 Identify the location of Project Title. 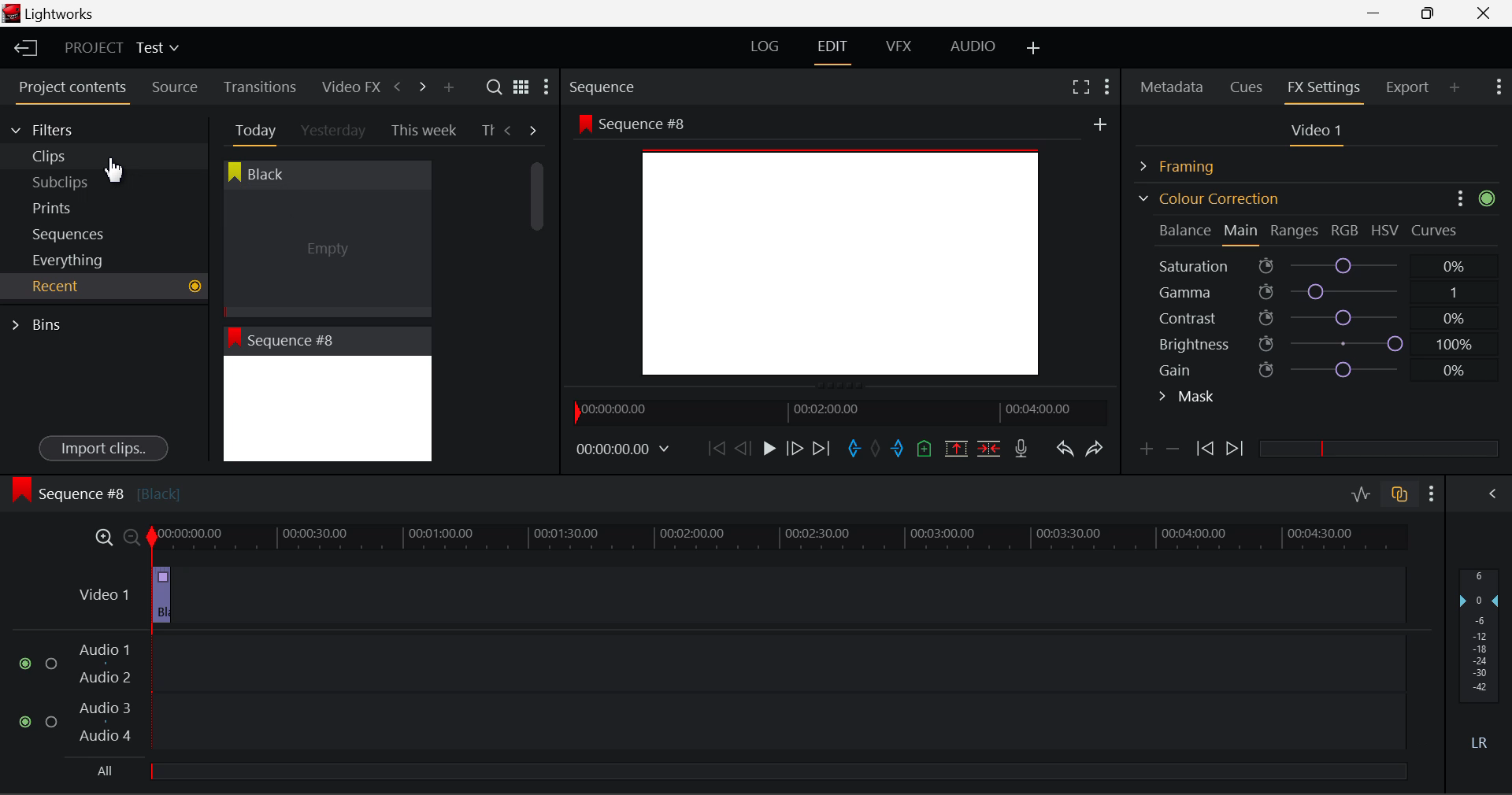
(122, 49).